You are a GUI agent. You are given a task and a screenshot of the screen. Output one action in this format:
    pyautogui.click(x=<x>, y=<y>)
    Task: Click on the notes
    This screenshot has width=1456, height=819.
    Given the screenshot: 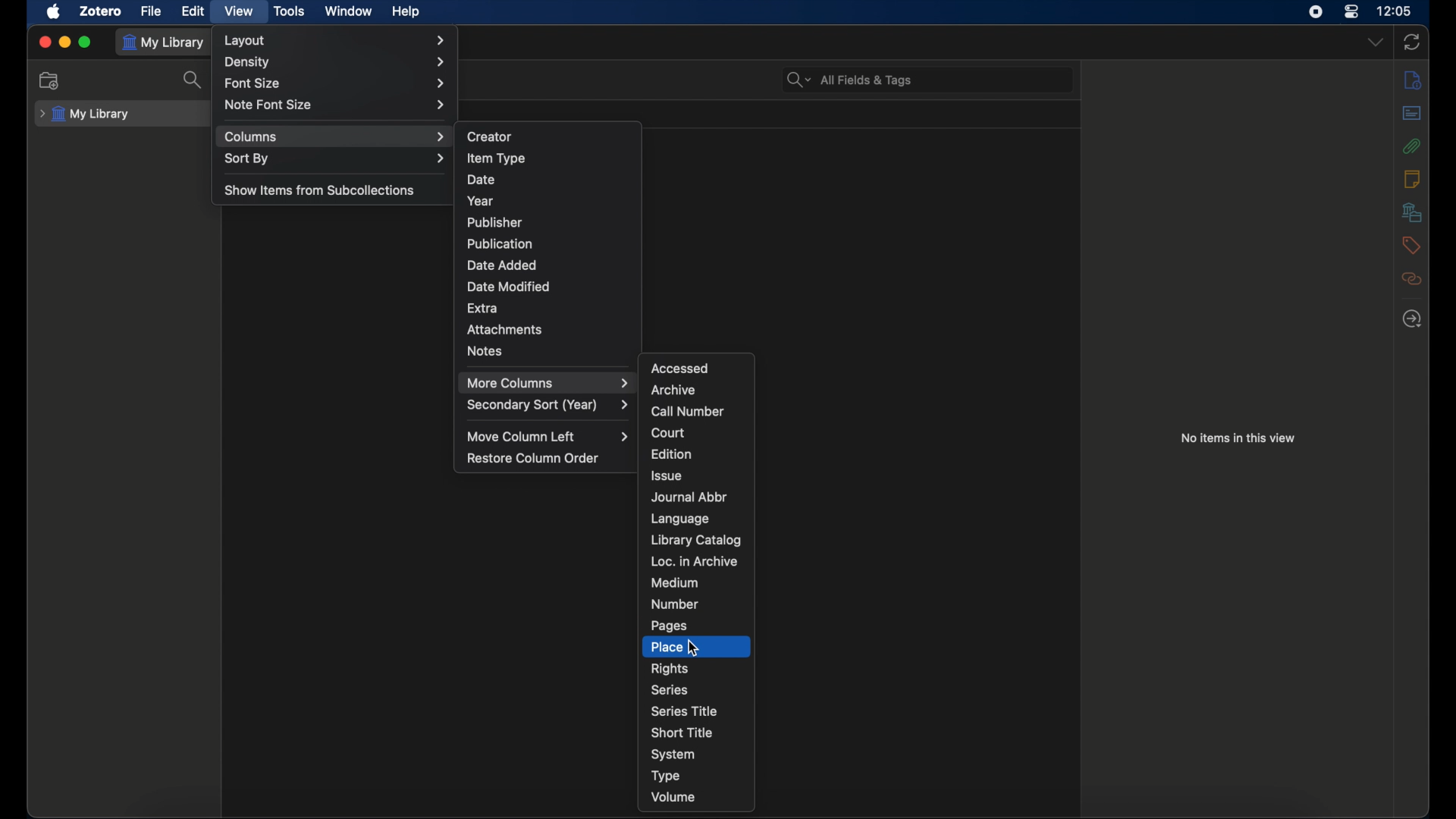 What is the action you would take?
    pyautogui.click(x=484, y=350)
    